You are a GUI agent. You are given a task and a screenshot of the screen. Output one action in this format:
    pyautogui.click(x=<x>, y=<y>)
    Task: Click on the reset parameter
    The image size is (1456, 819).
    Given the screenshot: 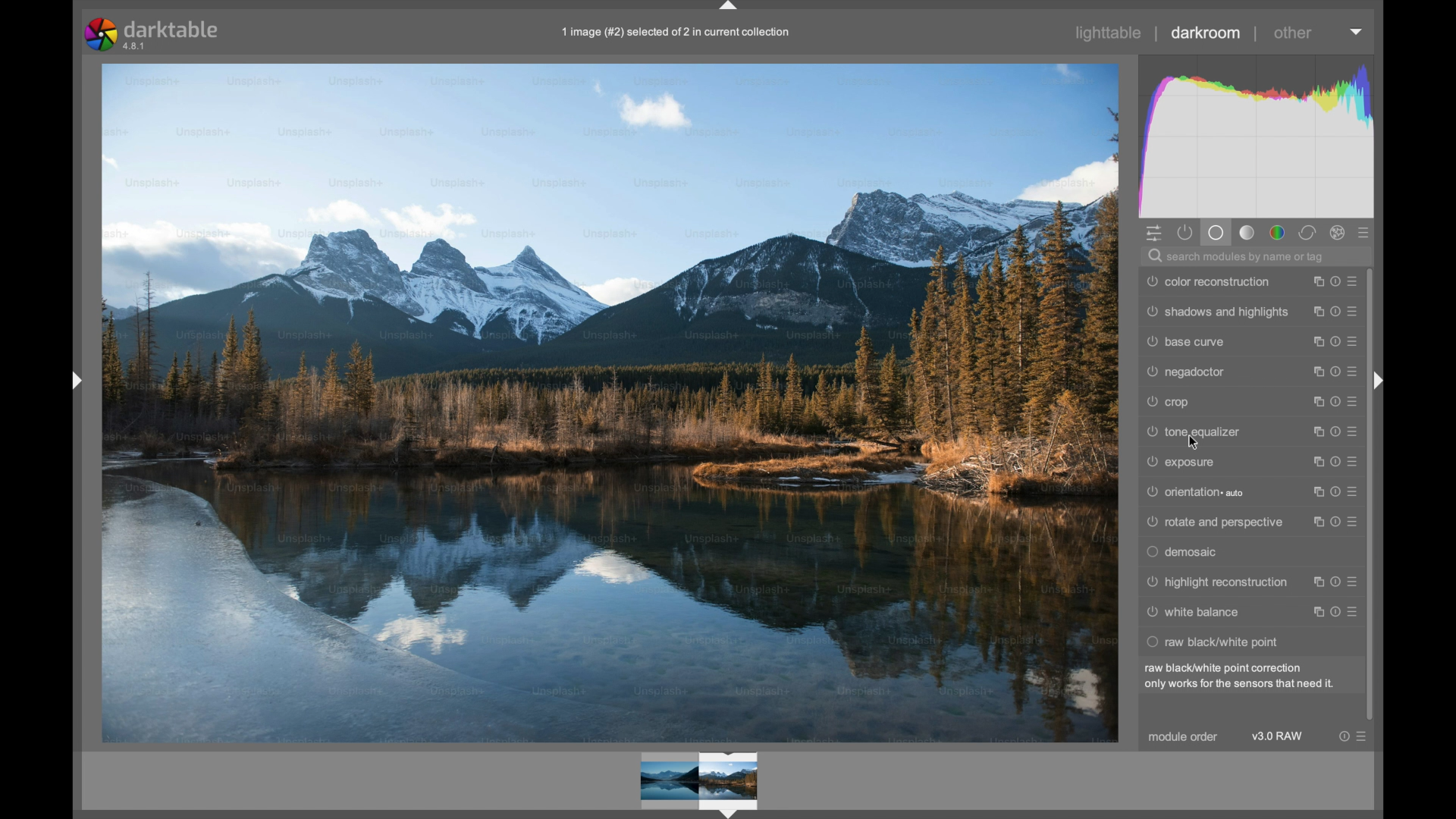 What is the action you would take?
    pyautogui.click(x=1337, y=522)
    